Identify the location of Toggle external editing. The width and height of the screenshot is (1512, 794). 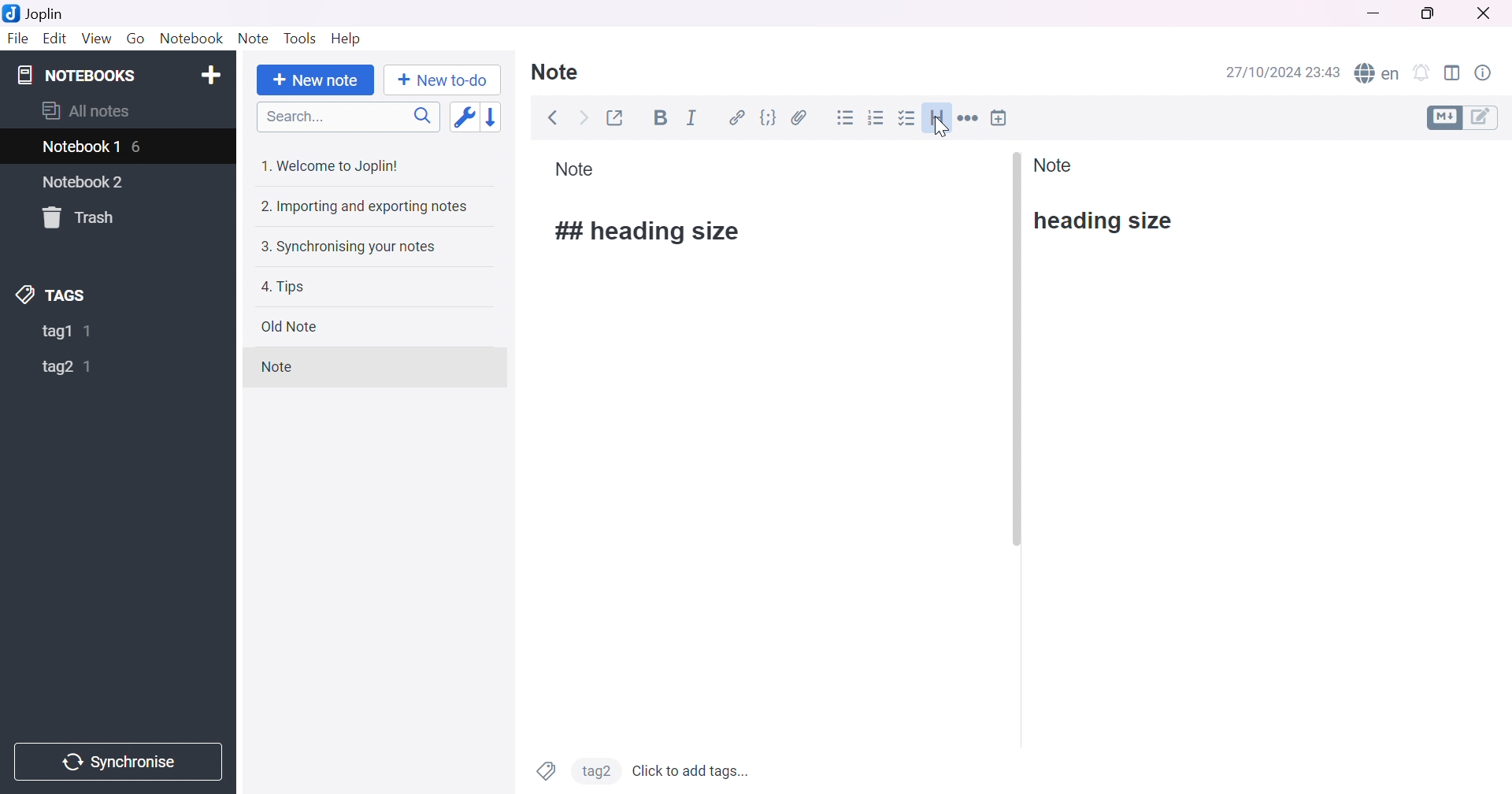
(616, 119).